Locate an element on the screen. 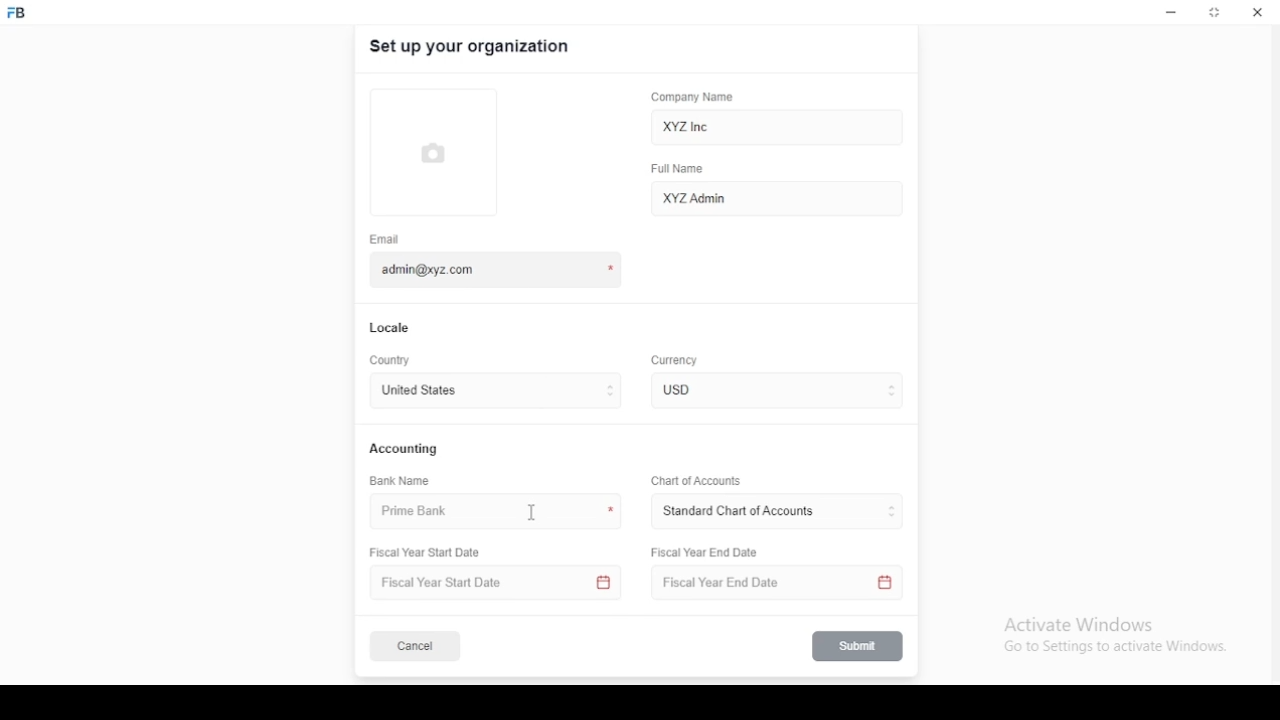 The image size is (1280, 720). accounting is located at coordinates (405, 448).